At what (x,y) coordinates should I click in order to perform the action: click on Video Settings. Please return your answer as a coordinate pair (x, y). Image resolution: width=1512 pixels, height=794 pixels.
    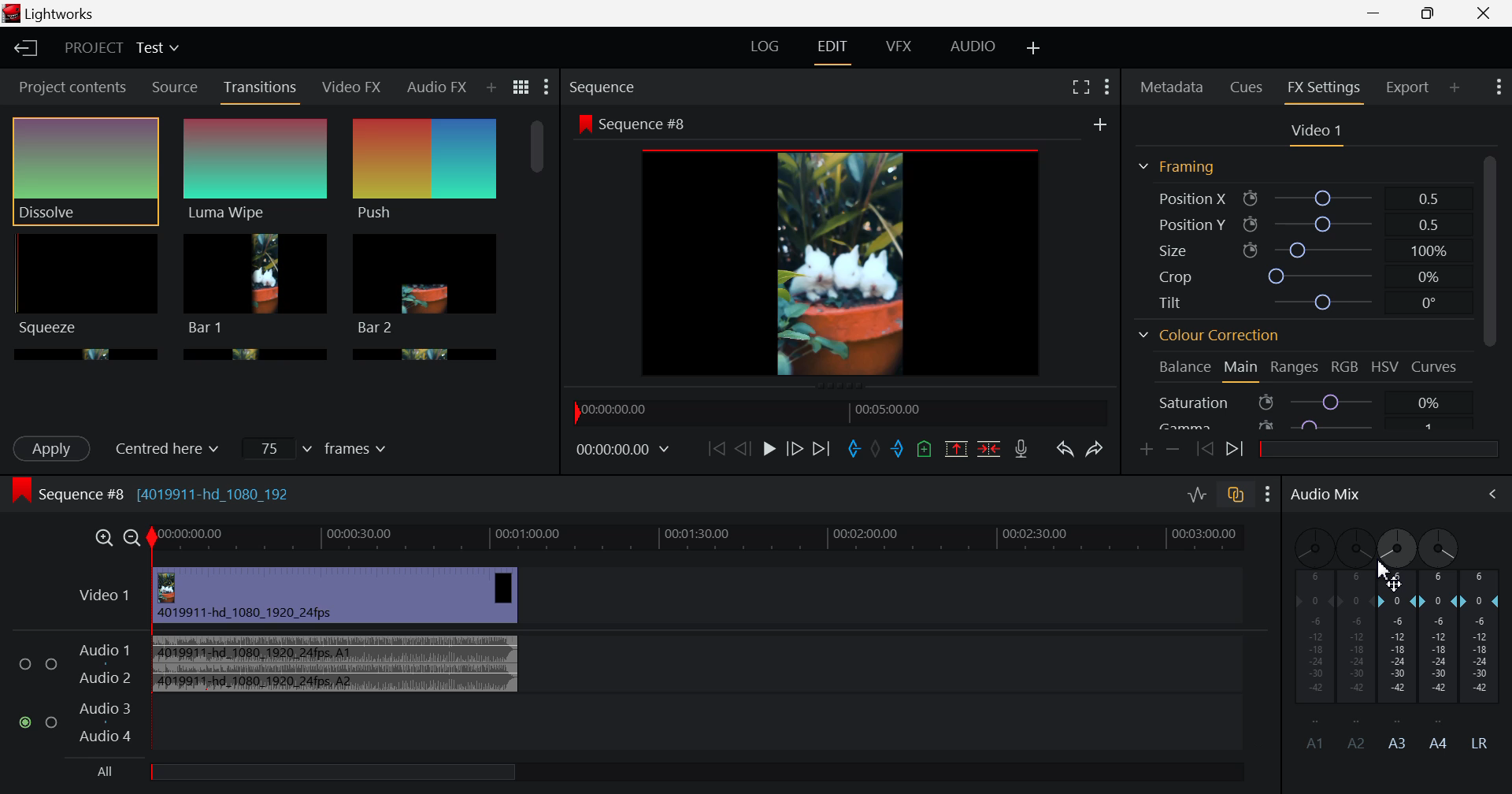
    Looking at the image, I should click on (1317, 135).